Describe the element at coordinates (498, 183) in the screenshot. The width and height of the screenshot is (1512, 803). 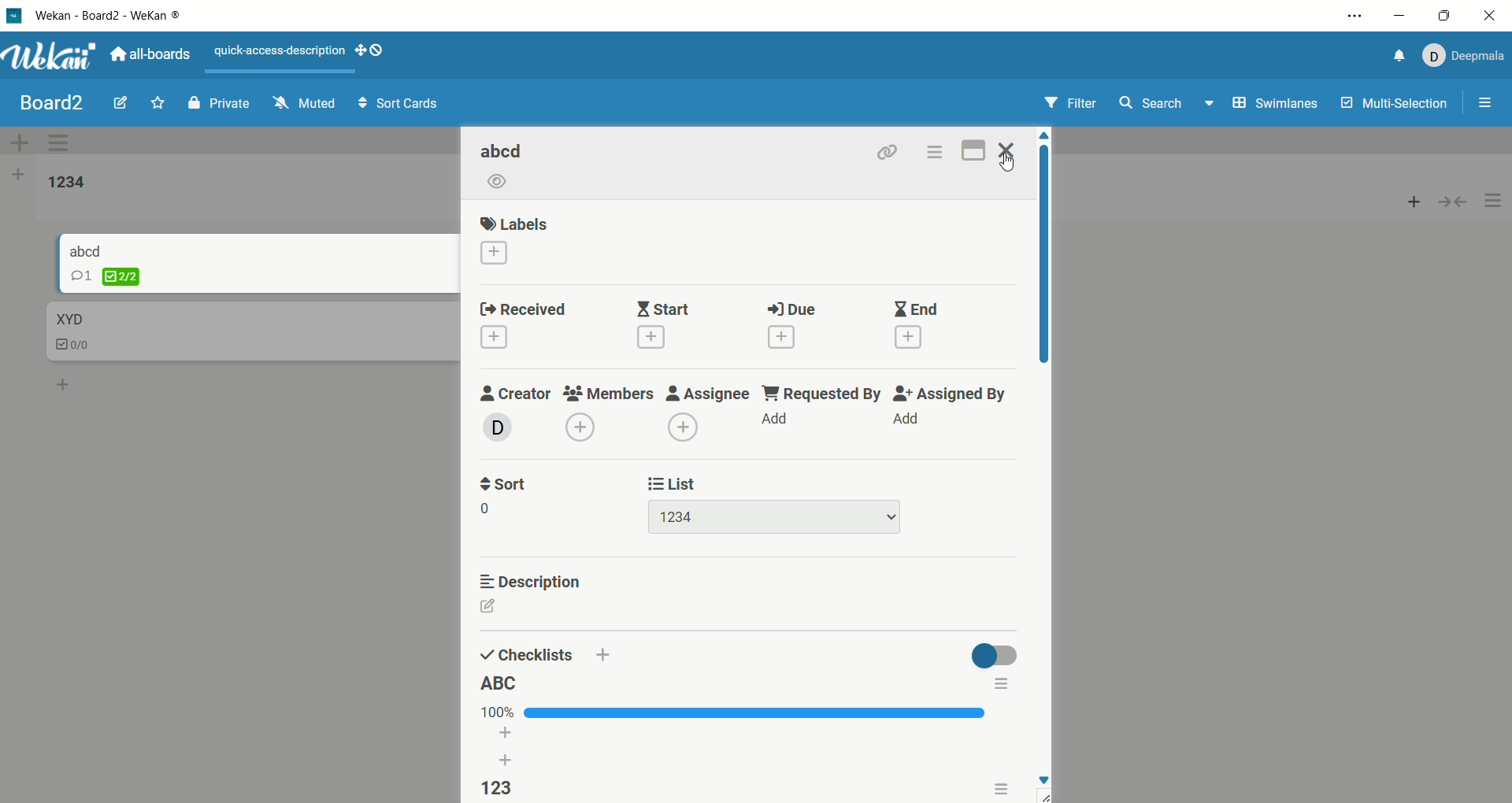
I see `watch` at that location.